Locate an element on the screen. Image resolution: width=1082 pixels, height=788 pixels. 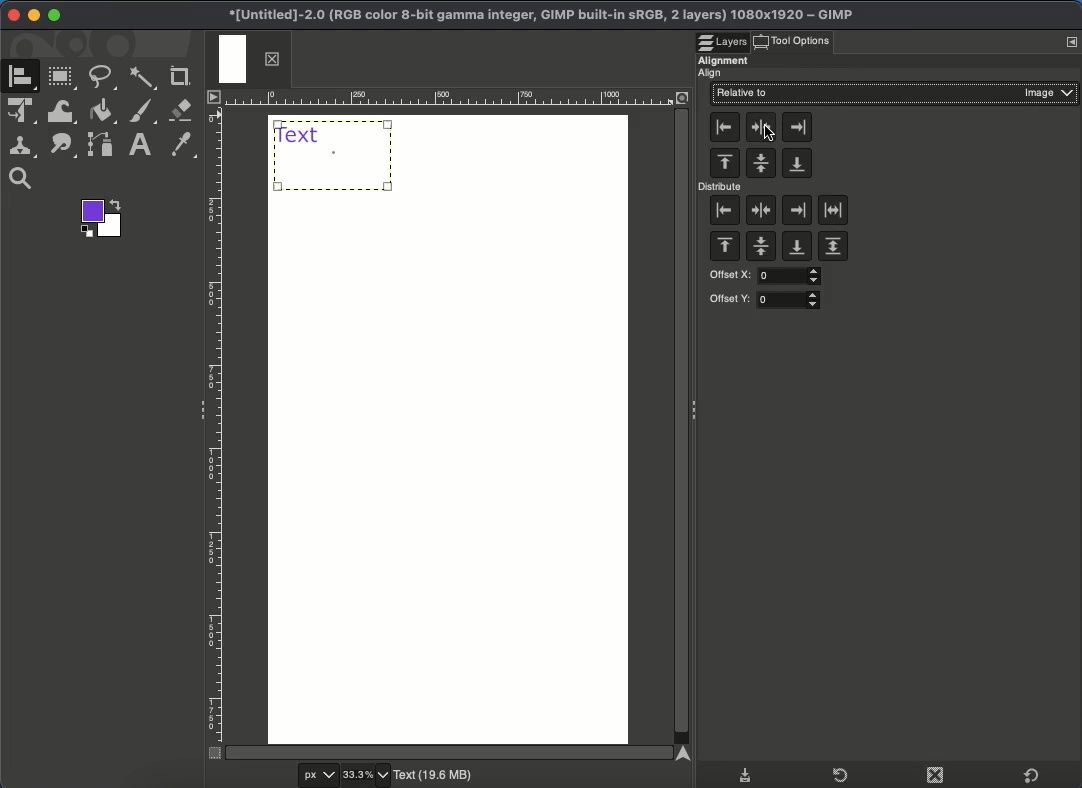
px is located at coordinates (315, 776).